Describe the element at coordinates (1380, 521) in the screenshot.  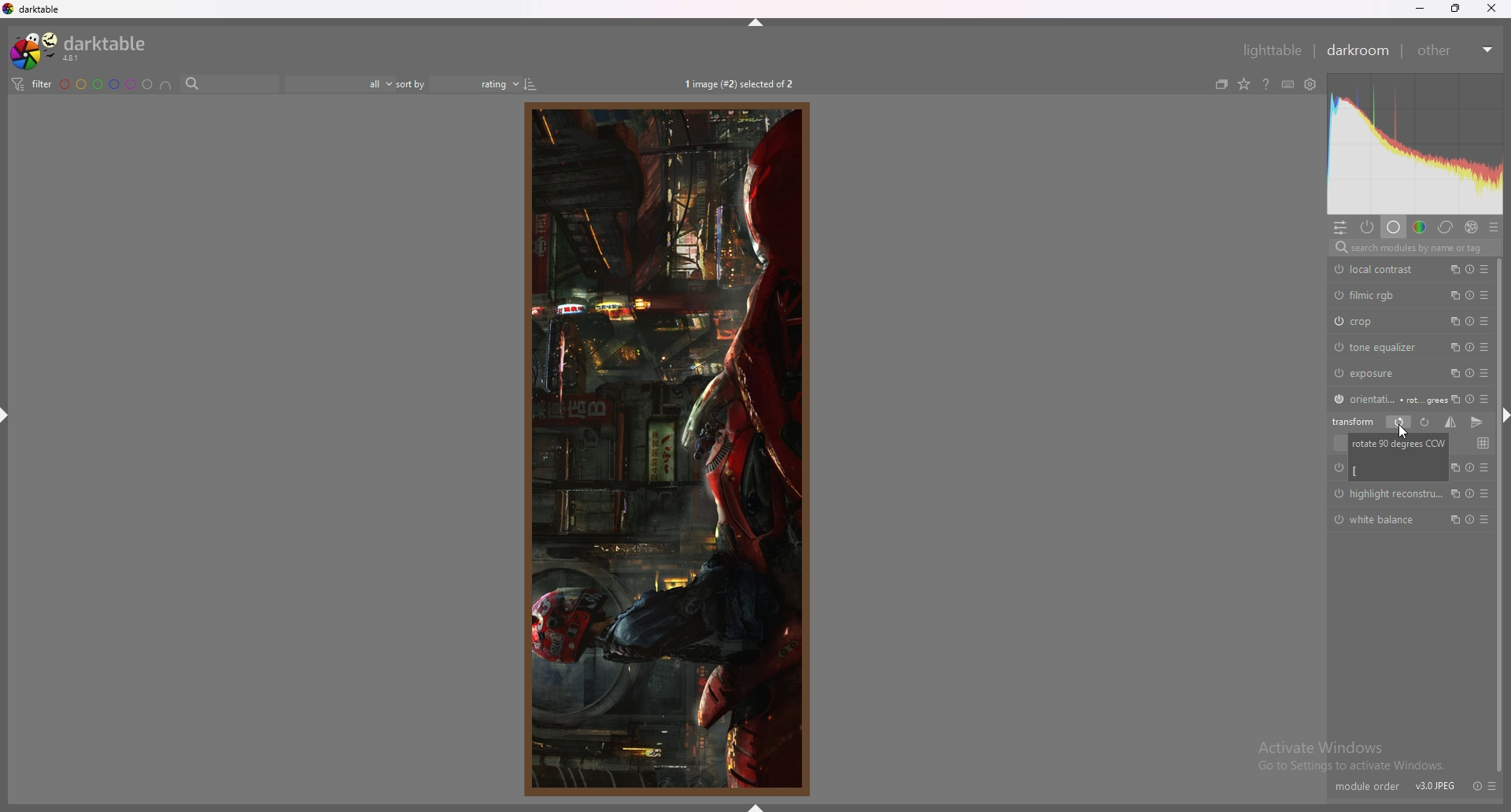
I see `white balance` at that location.